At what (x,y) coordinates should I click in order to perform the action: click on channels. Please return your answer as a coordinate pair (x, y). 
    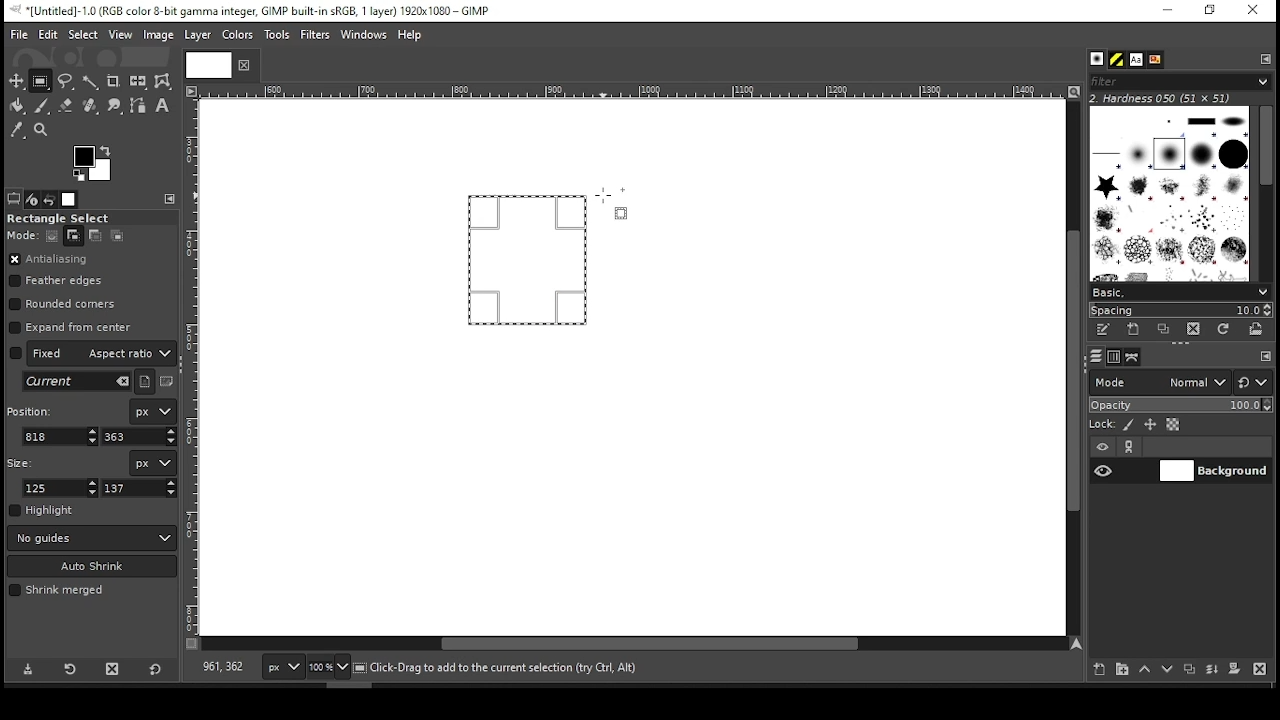
    Looking at the image, I should click on (1113, 357).